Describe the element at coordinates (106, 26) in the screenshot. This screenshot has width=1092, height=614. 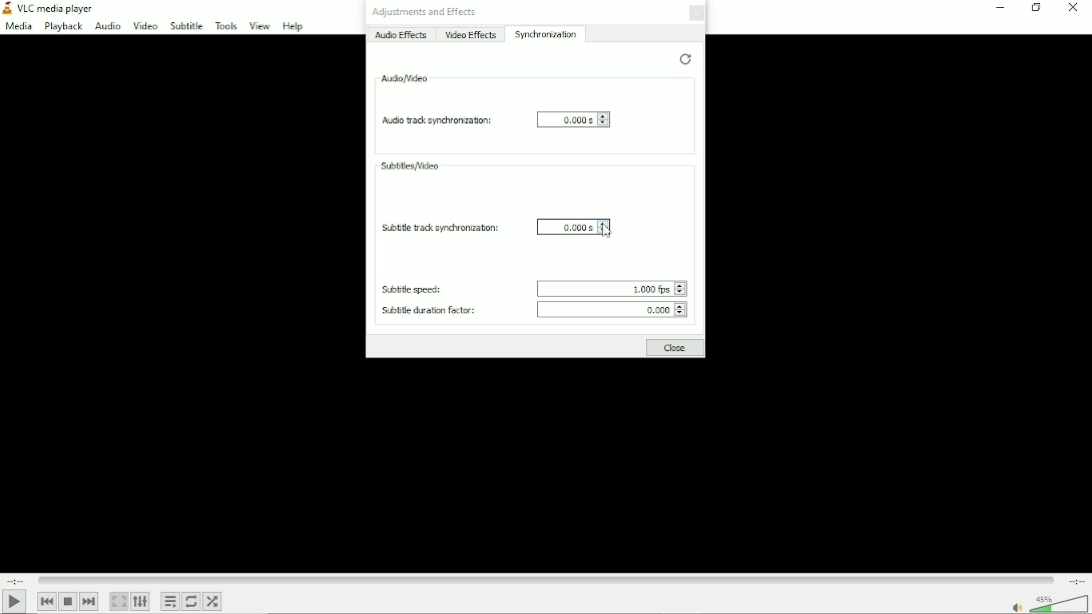
I see `Audio` at that location.